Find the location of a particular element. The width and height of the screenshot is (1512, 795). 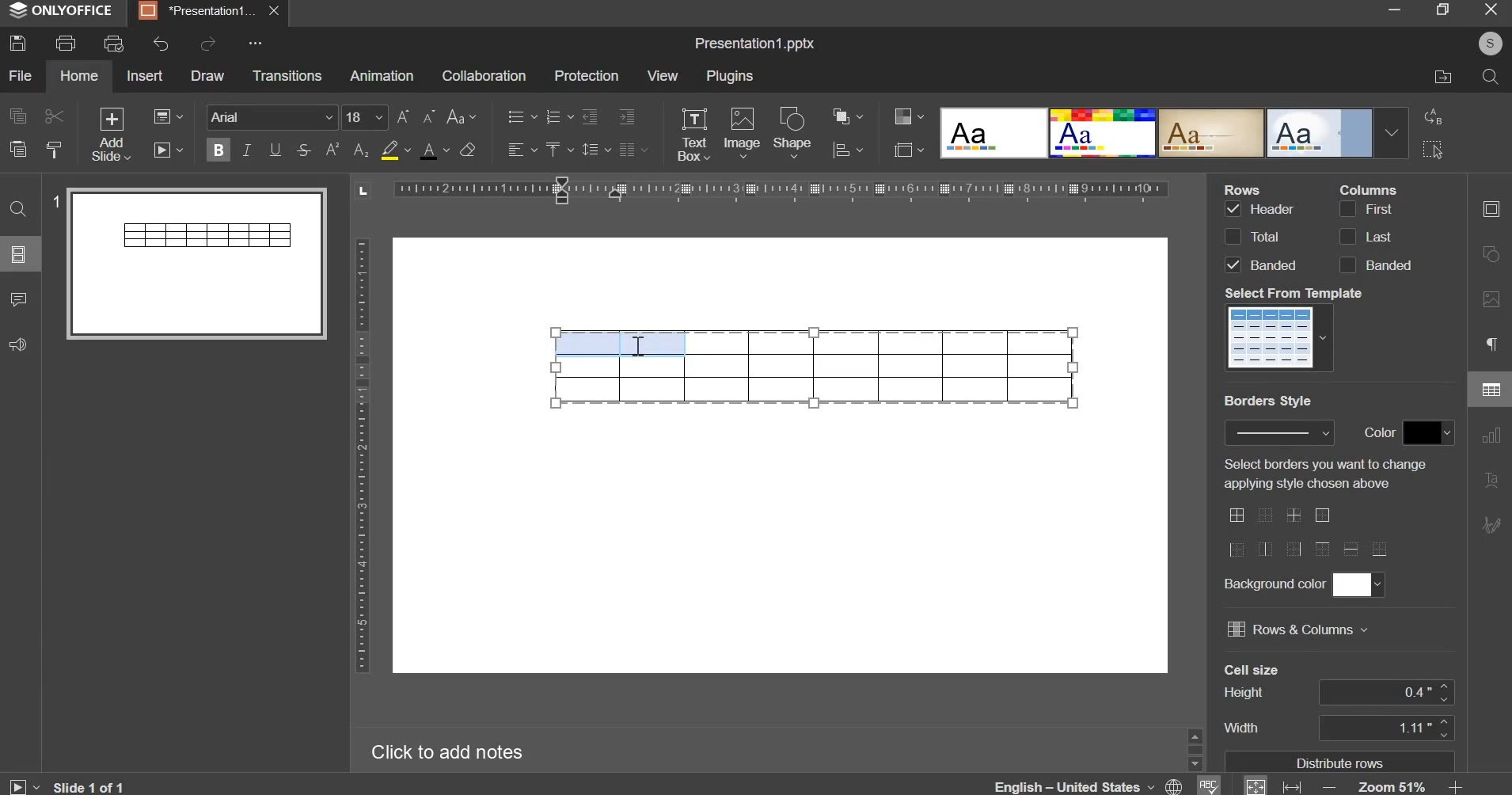

strikethrough is located at coordinates (302, 150).